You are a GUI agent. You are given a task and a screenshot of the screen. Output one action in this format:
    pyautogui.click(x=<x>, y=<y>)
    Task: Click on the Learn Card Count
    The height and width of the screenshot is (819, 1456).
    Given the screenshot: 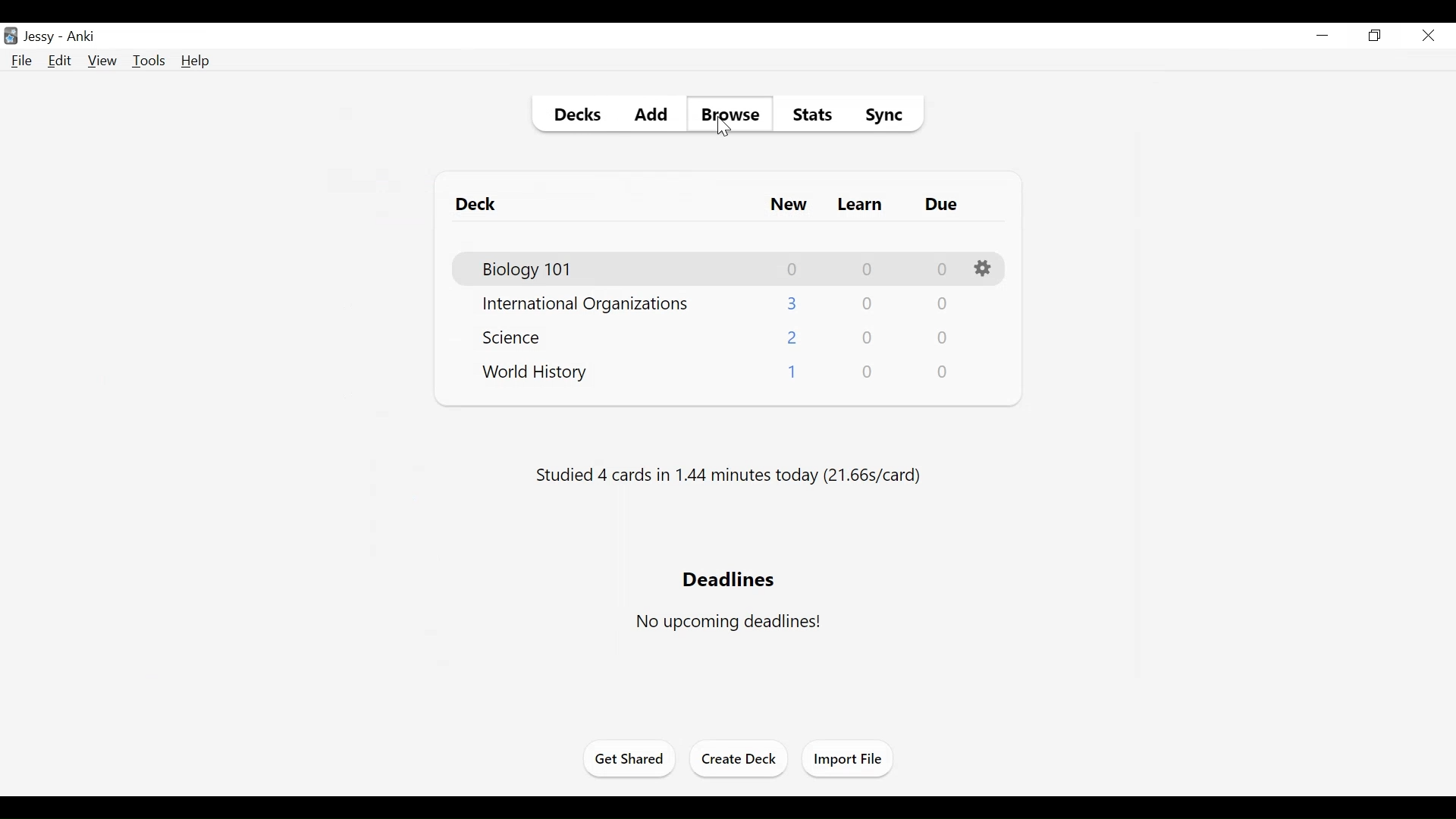 What is the action you would take?
    pyautogui.click(x=870, y=303)
    